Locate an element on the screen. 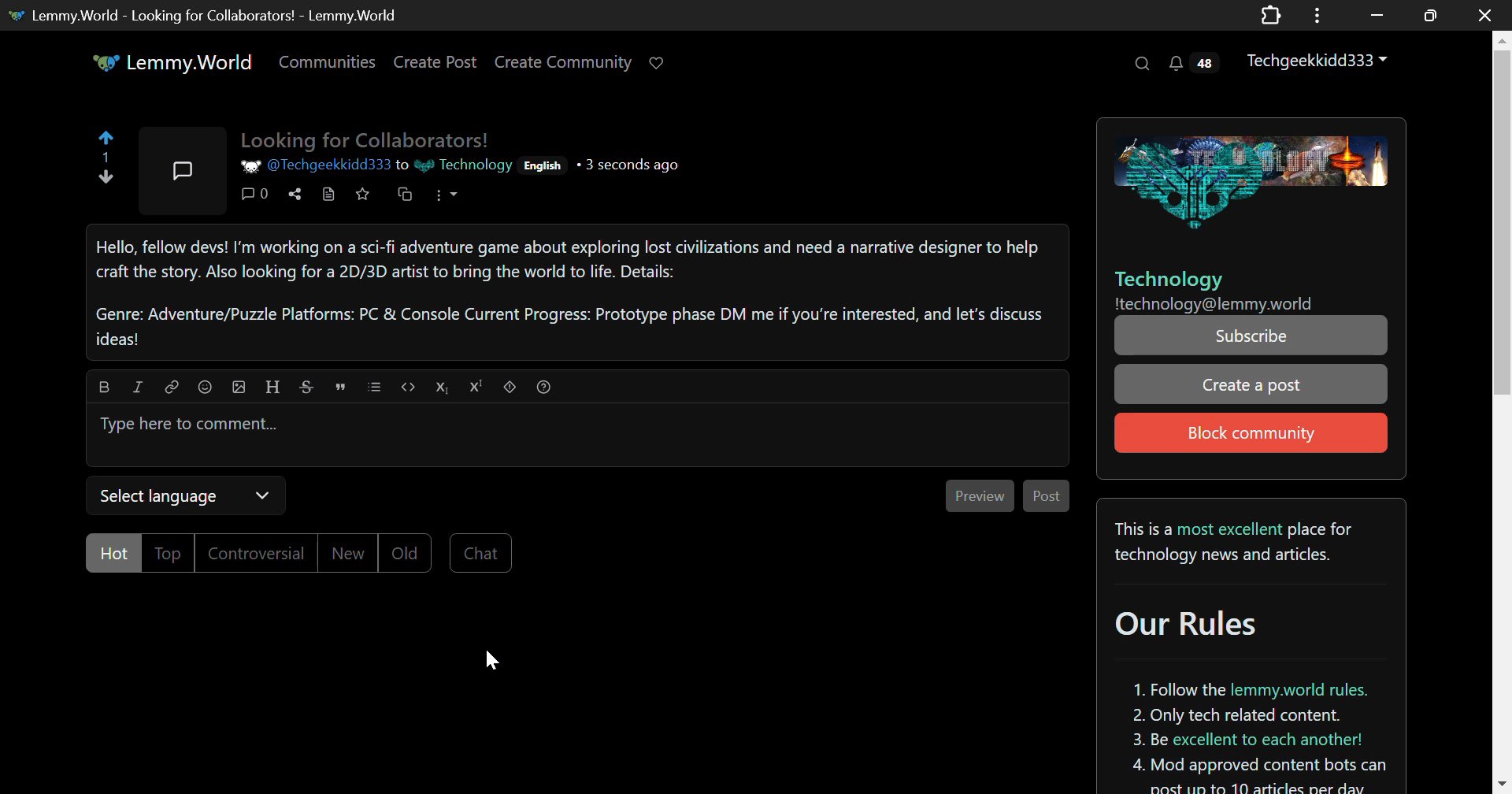 This screenshot has height=794, width=1512. Block community is located at coordinates (1251, 432).